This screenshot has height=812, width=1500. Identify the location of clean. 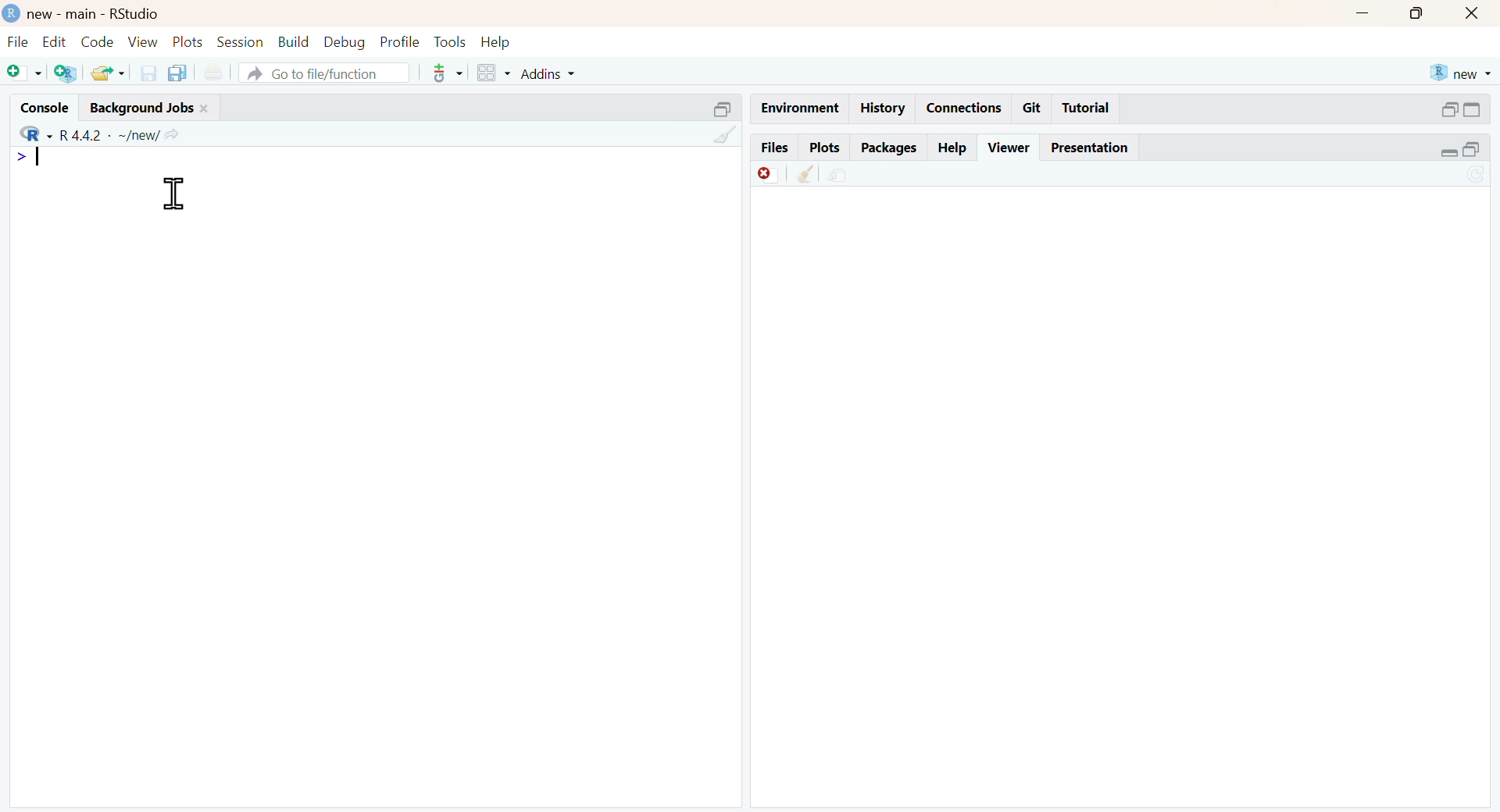
(726, 136).